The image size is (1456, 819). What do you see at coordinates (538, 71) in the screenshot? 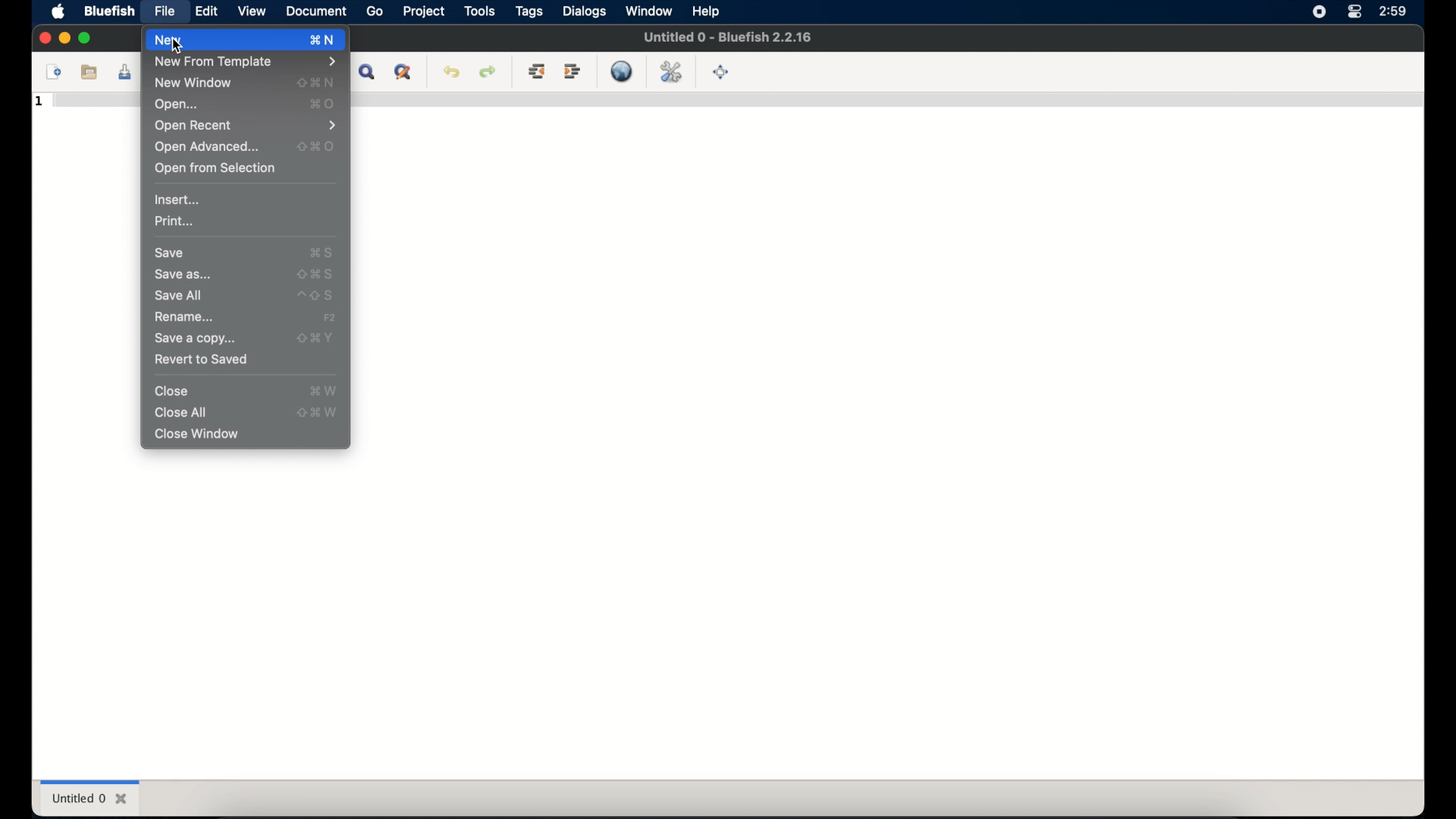
I see `unindent` at bounding box center [538, 71].